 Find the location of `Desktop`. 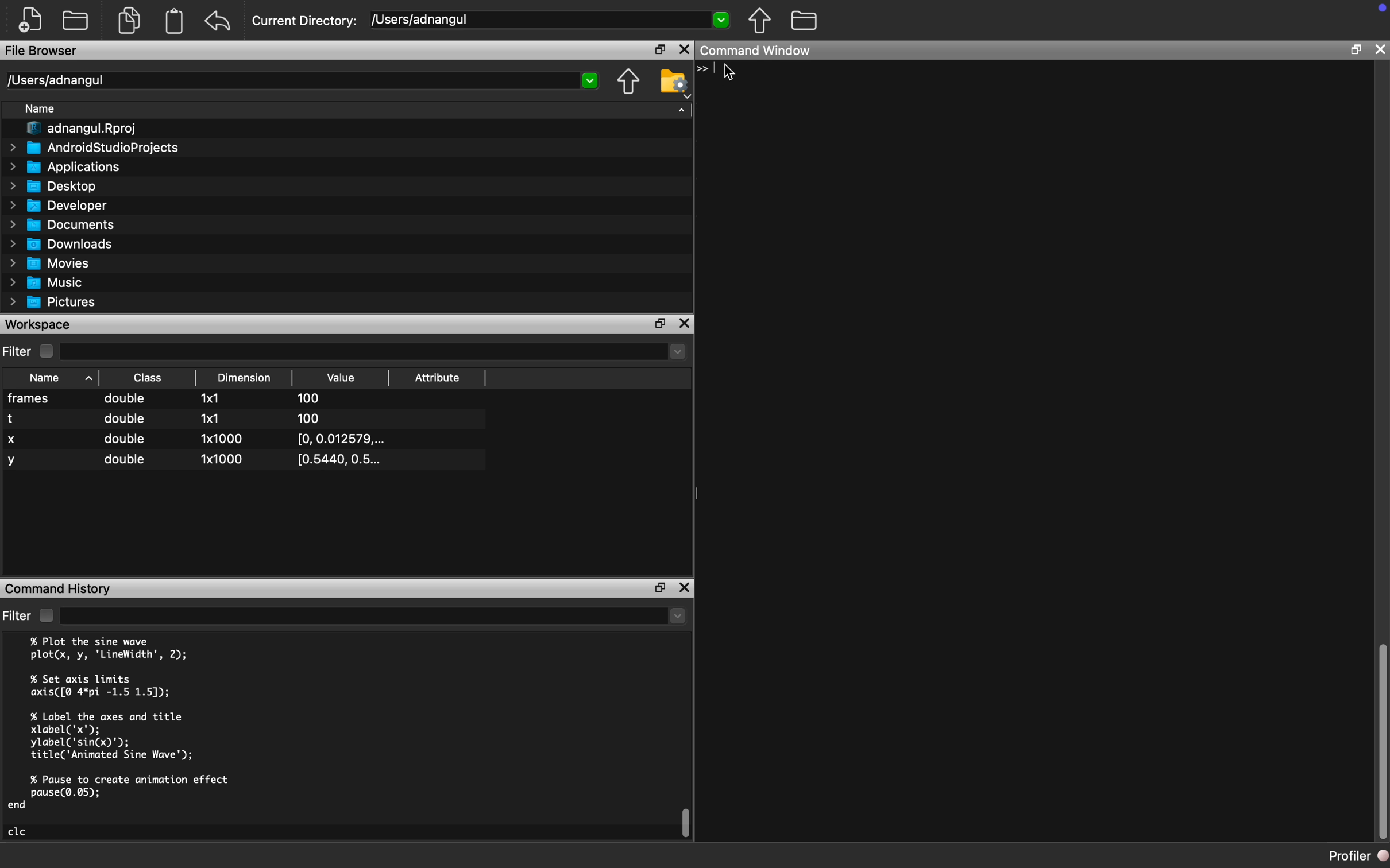

Desktop is located at coordinates (55, 187).